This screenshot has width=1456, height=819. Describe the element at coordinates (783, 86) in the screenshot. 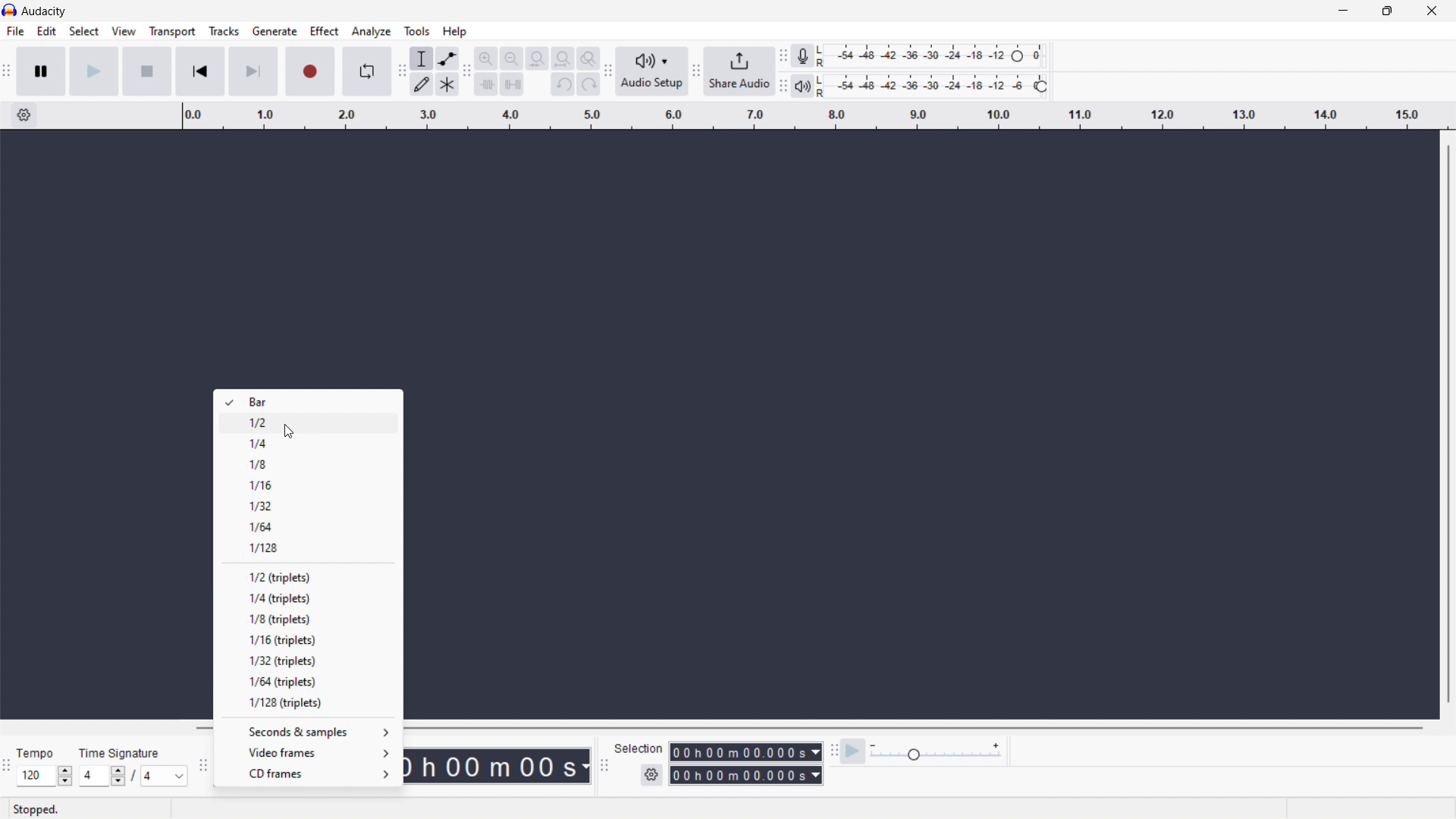

I see `playback meter toolbar` at that location.